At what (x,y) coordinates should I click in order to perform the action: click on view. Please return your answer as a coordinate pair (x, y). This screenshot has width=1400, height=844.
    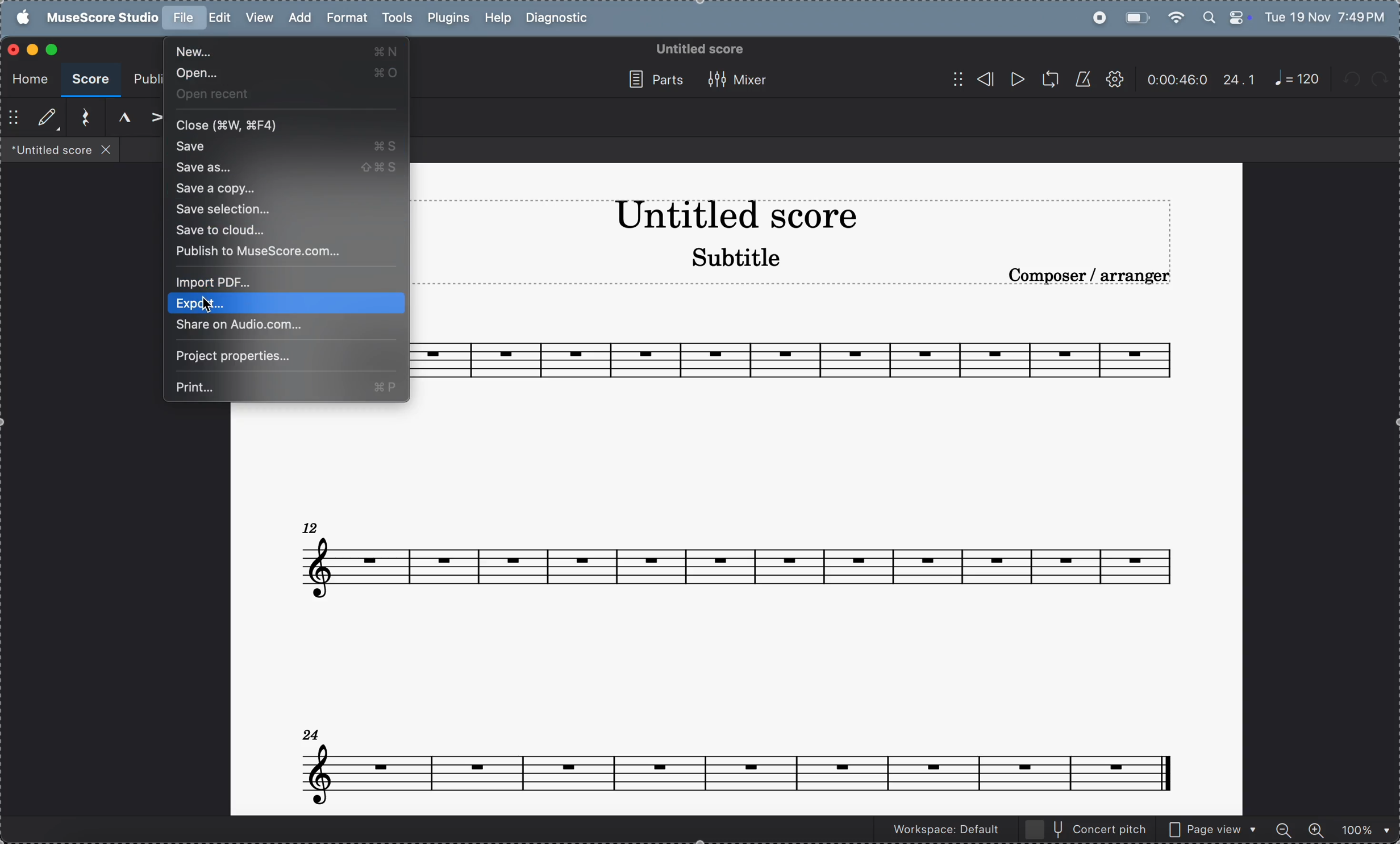
    Looking at the image, I should click on (259, 18).